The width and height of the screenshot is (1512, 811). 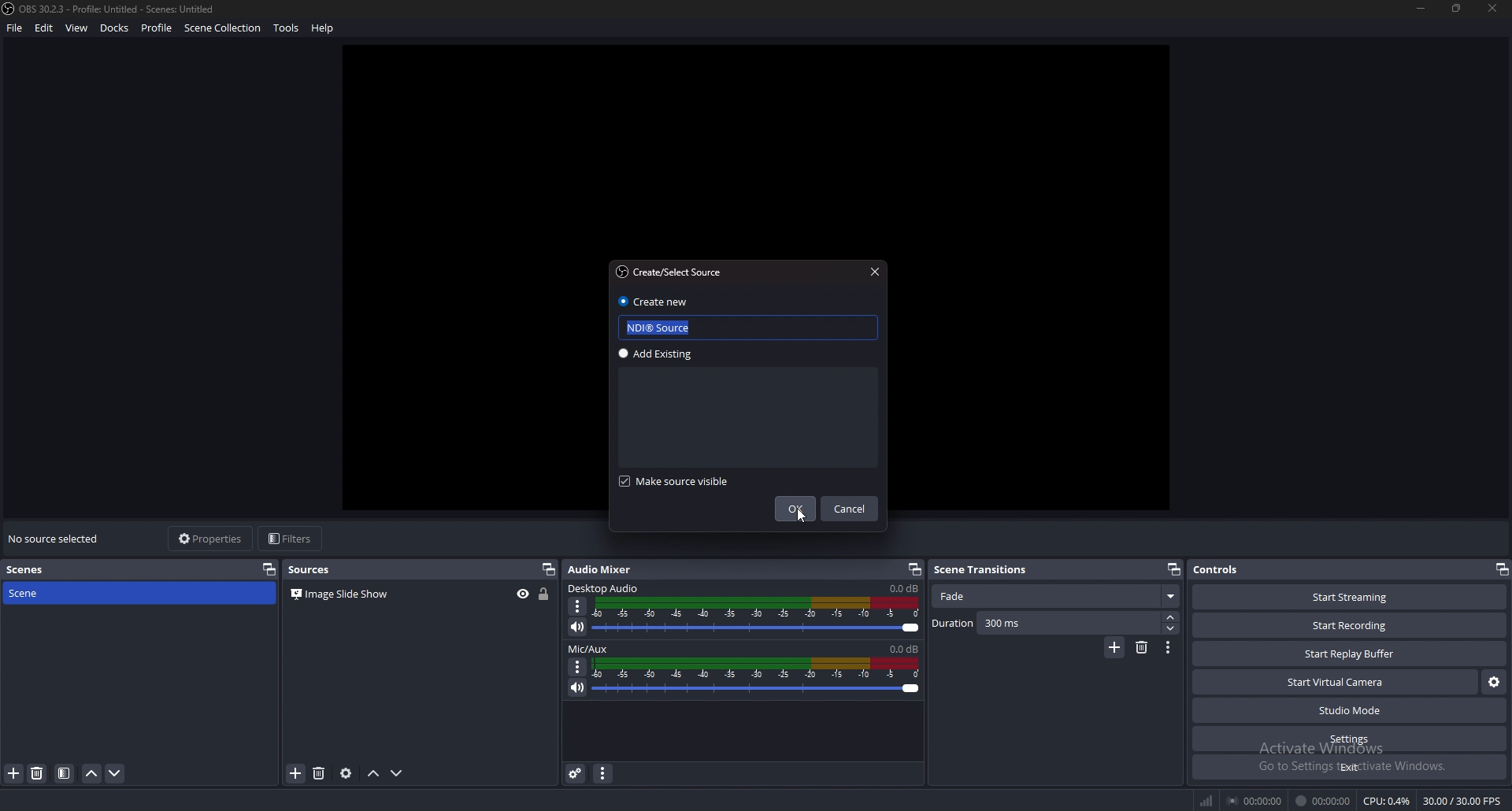 What do you see at coordinates (211, 538) in the screenshot?
I see `properties` at bounding box center [211, 538].